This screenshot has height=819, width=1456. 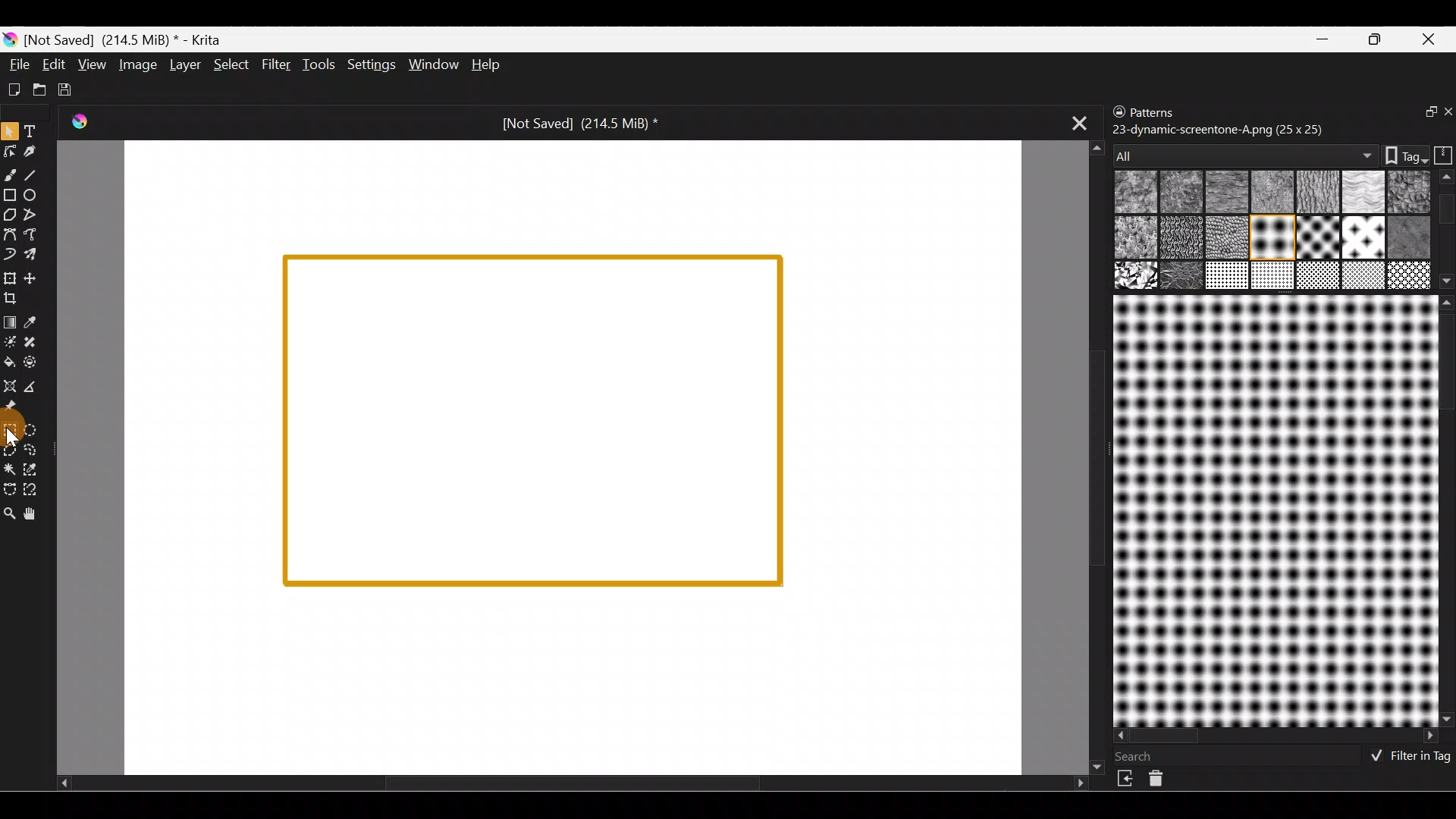 What do you see at coordinates (1421, 115) in the screenshot?
I see `Float docker` at bounding box center [1421, 115].